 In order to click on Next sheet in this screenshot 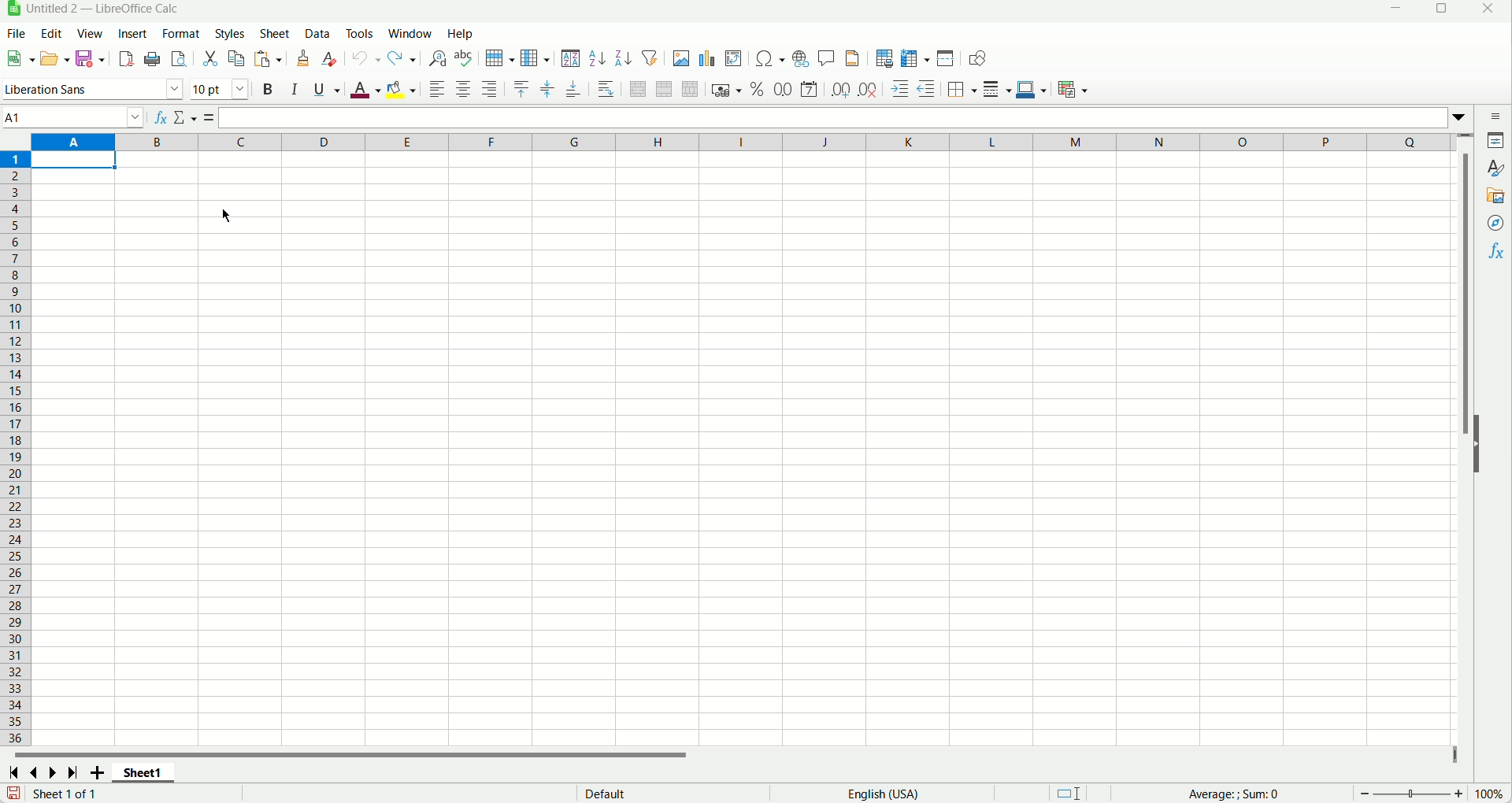, I will do `click(86, 1231)`.